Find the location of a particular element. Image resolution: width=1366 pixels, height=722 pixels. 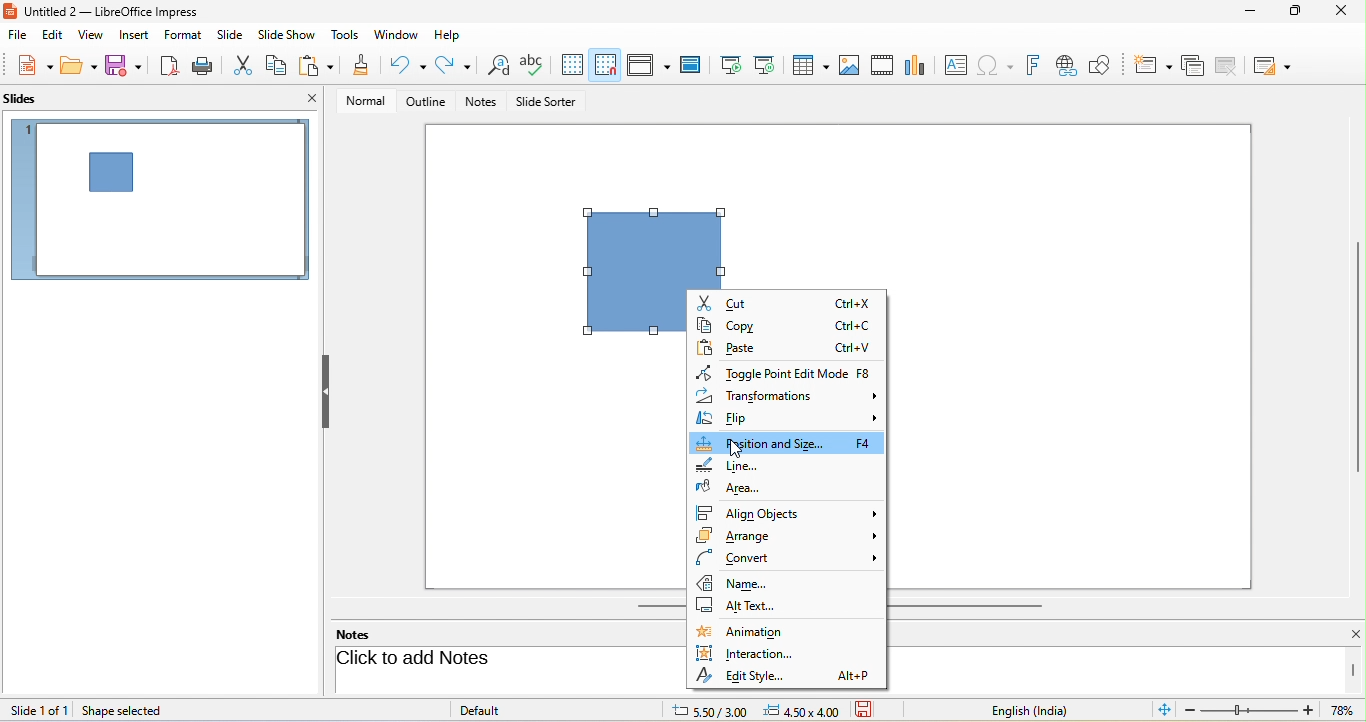

shaped selected is located at coordinates (130, 710).